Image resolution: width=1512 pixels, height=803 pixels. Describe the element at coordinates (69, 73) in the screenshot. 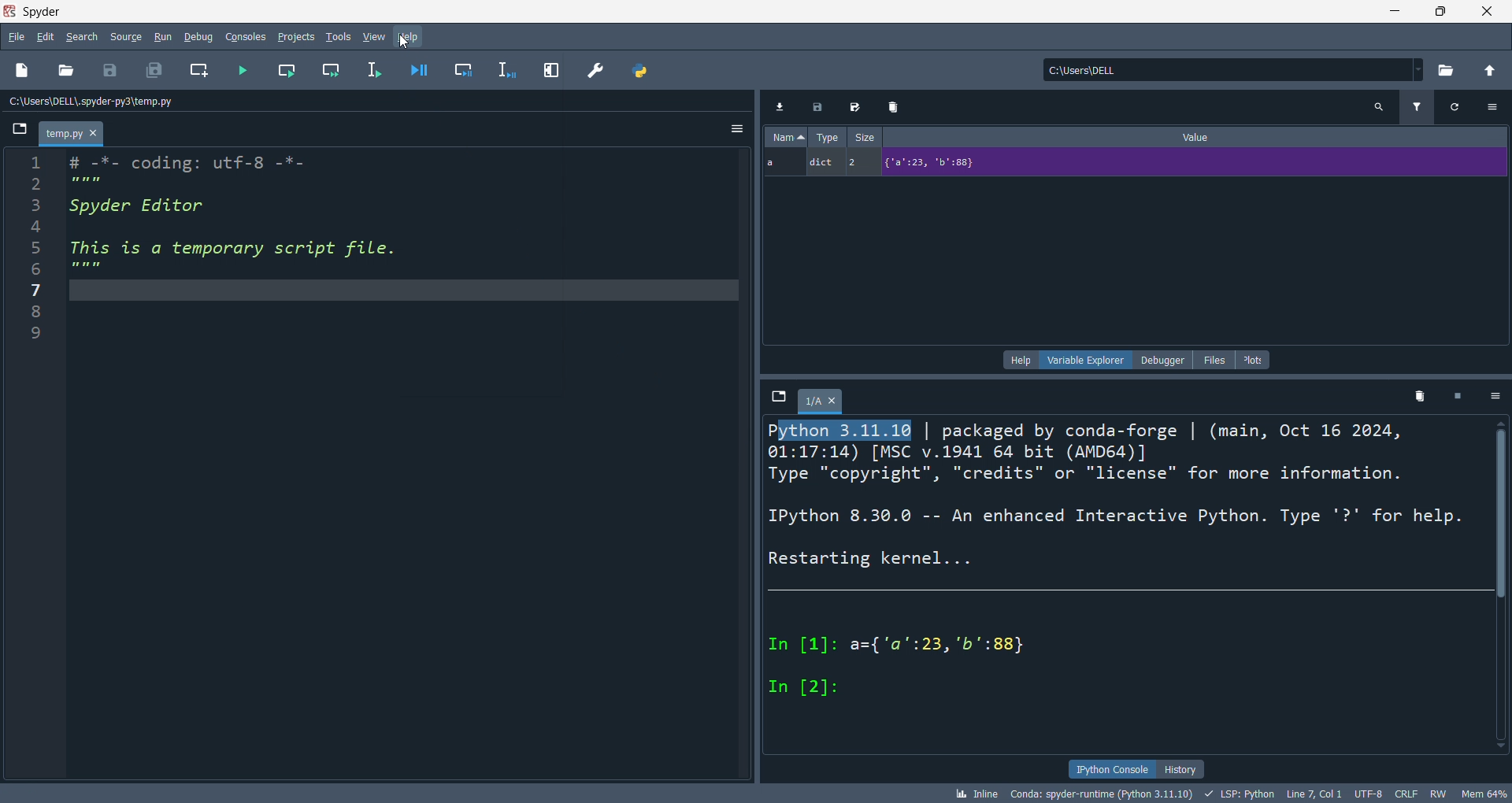

I see `open file` at that location.